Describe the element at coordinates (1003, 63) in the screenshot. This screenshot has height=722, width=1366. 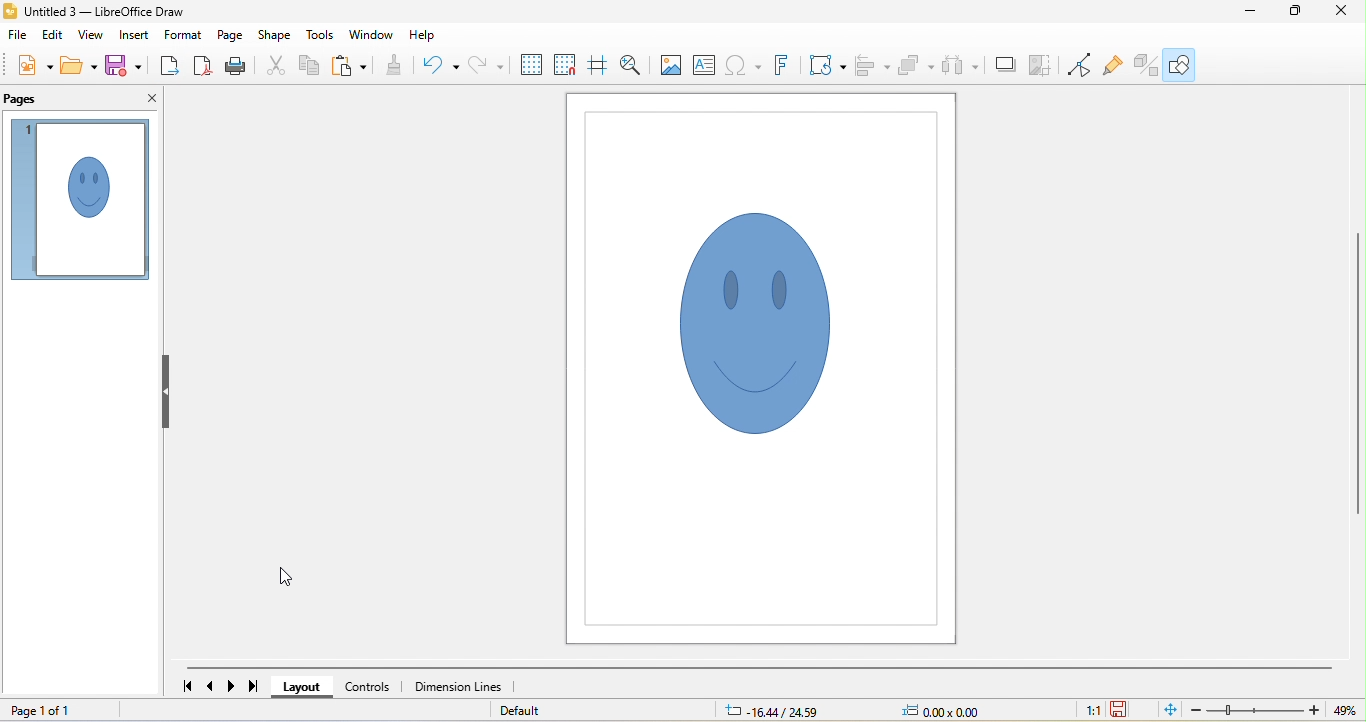
I see `shadow` at that location.